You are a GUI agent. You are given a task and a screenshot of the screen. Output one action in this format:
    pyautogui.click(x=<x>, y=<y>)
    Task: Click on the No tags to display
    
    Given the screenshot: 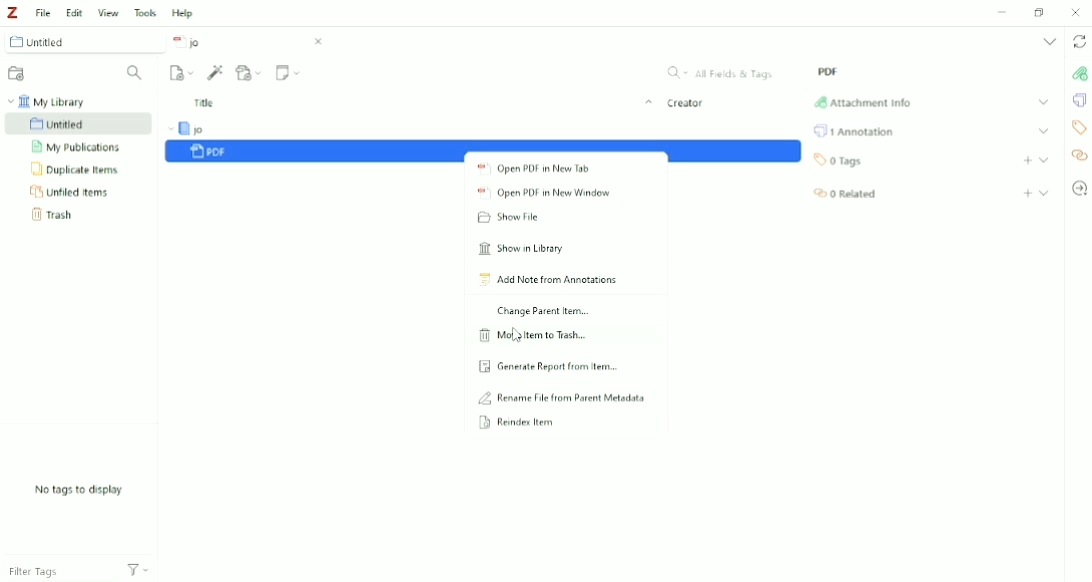 What is the action you would take?
    pyautogui.click(x=78, y=490)
    